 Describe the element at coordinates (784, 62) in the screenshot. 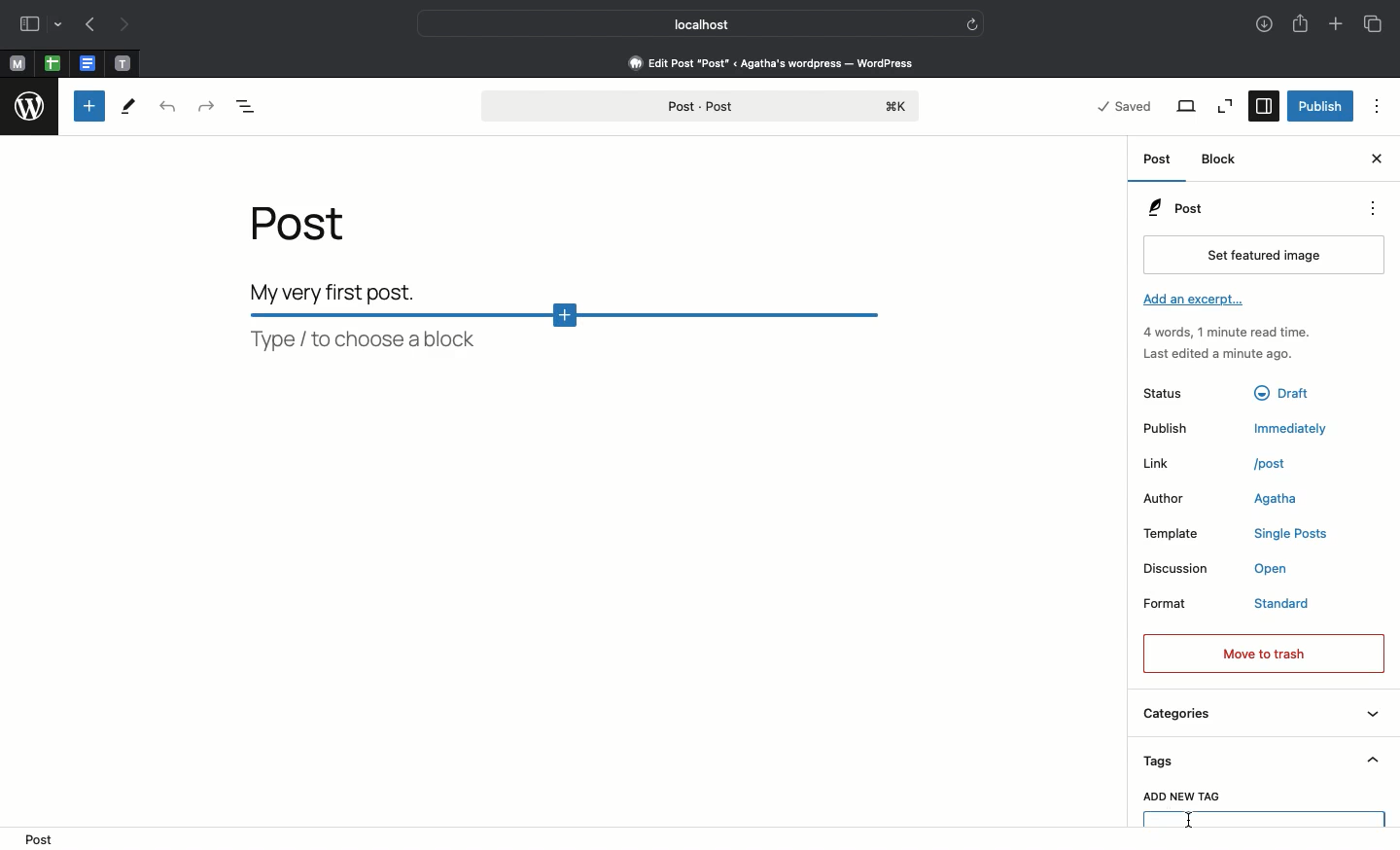

I see `Edit post` at that location.